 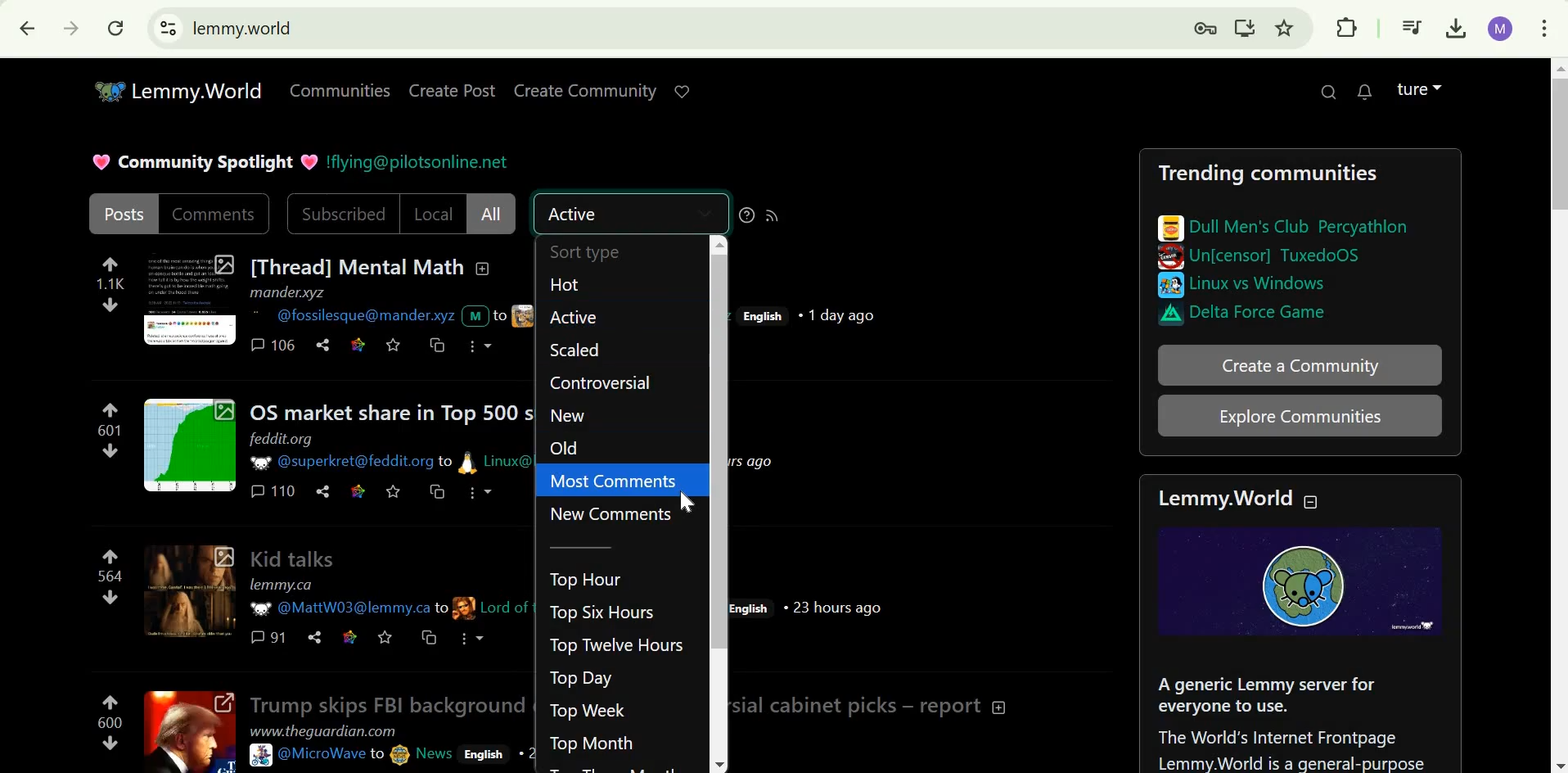 What do you see at coordinates (22, 29) in the screenshot?
I see `Click to go back, hold to see history` at bounding box center [22, 29].